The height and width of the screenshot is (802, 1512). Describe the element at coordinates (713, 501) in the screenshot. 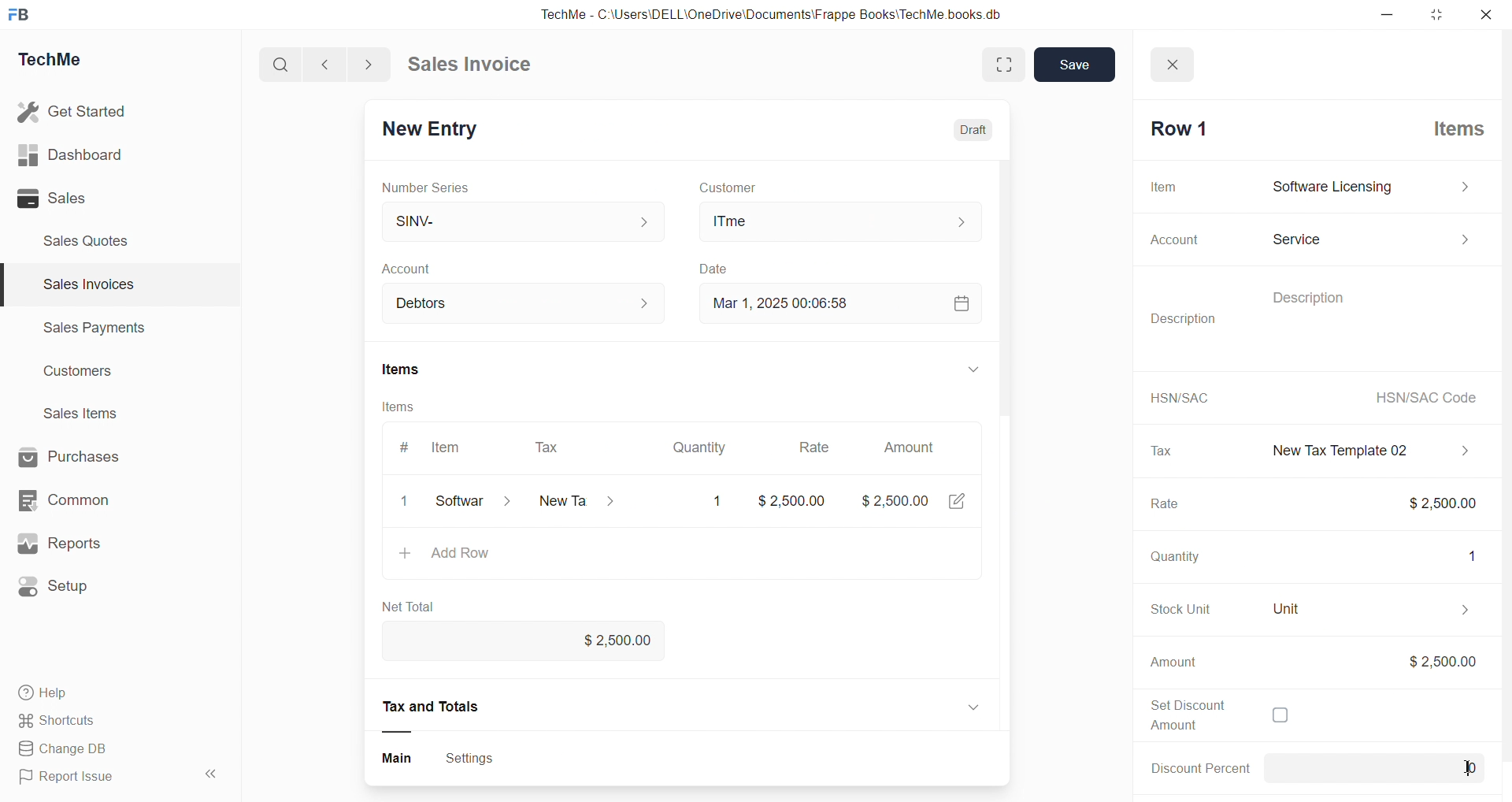

I see `1` at that location.